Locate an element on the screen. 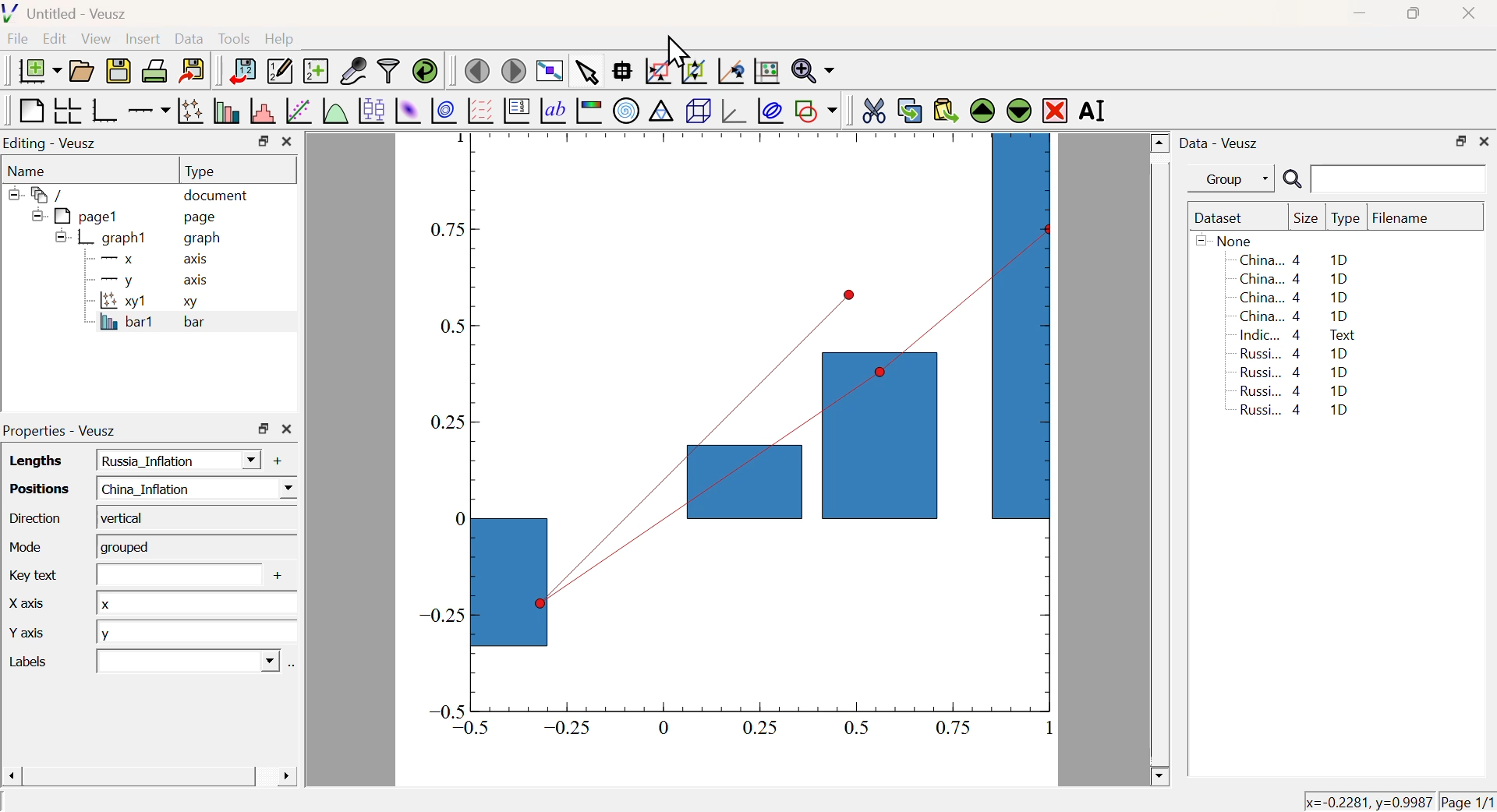  Positions is located at coordinates (34, 487).